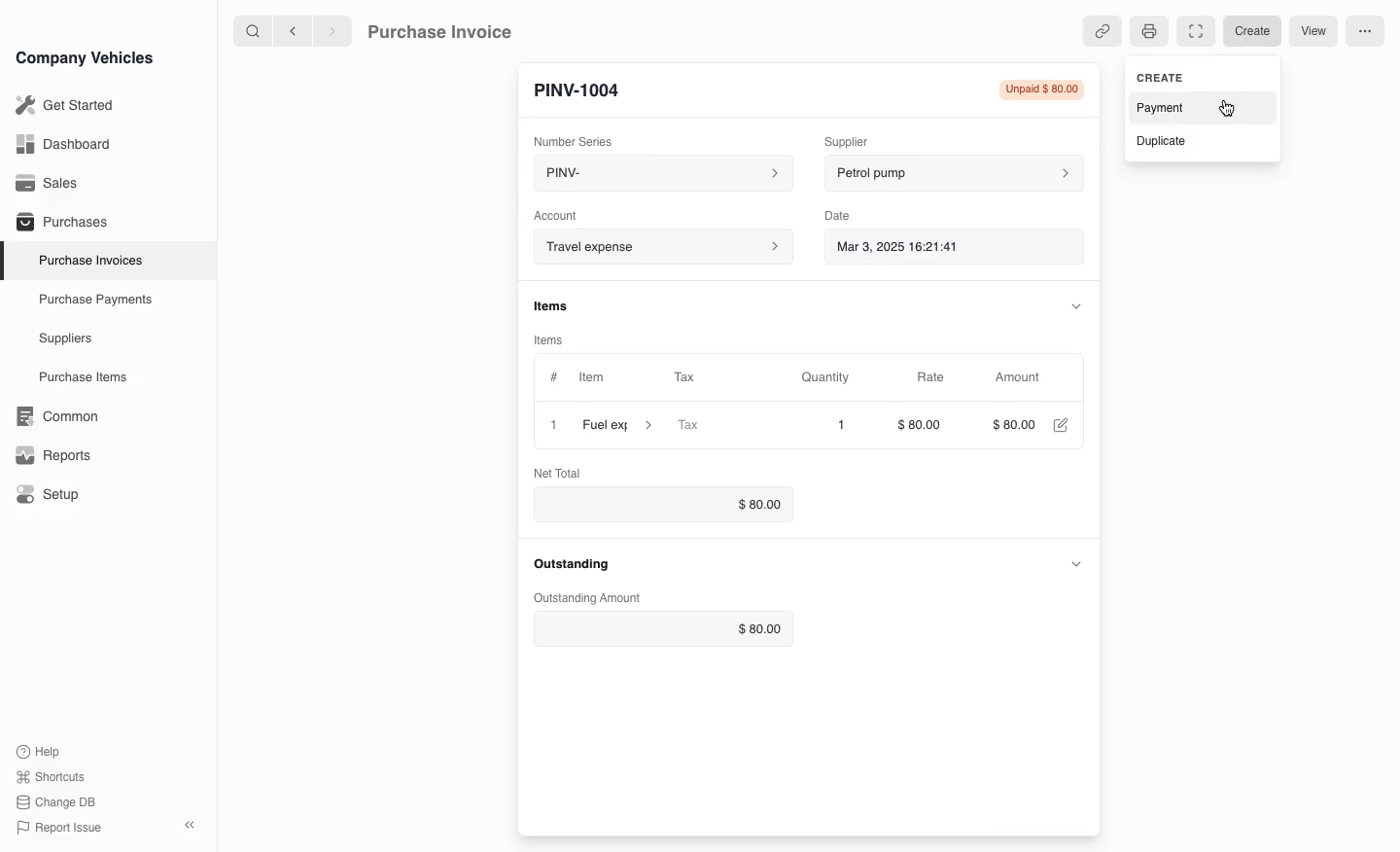  I want to click on $80.00, so click(925, 425).